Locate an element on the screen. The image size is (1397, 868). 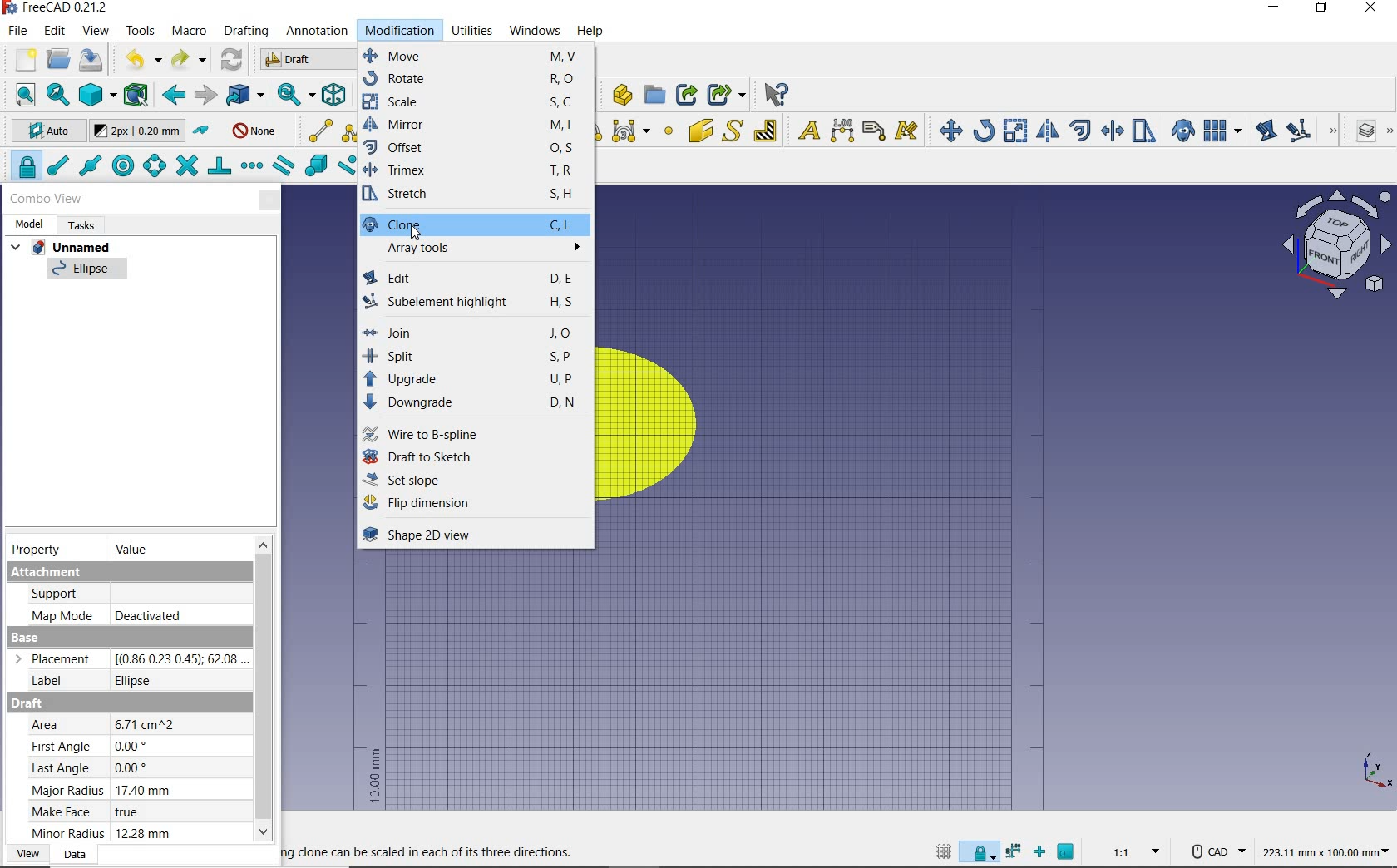
Utilities is located at coordinates (473, 31).